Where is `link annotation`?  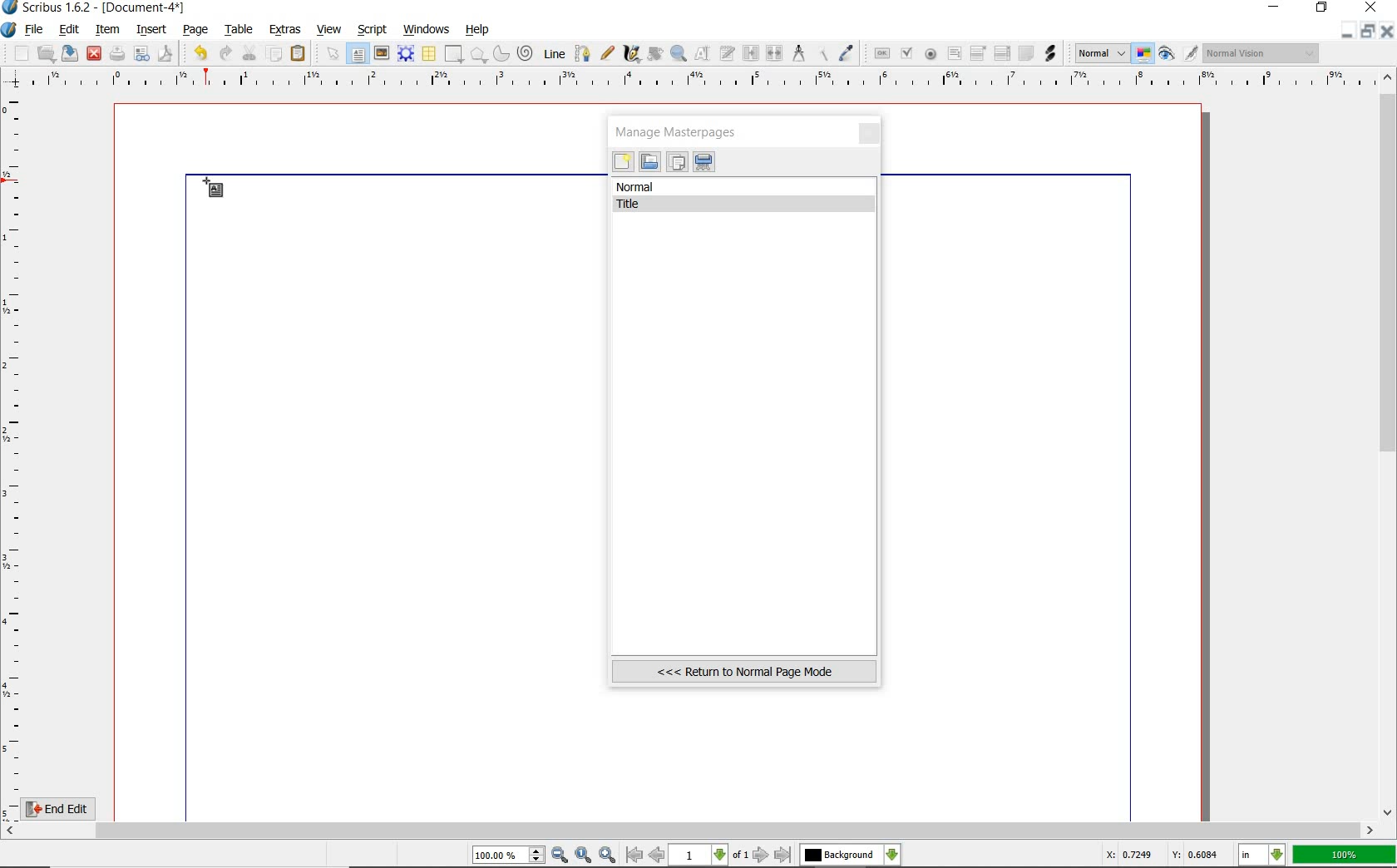
link annotation is located at coordinates (1050, 52).